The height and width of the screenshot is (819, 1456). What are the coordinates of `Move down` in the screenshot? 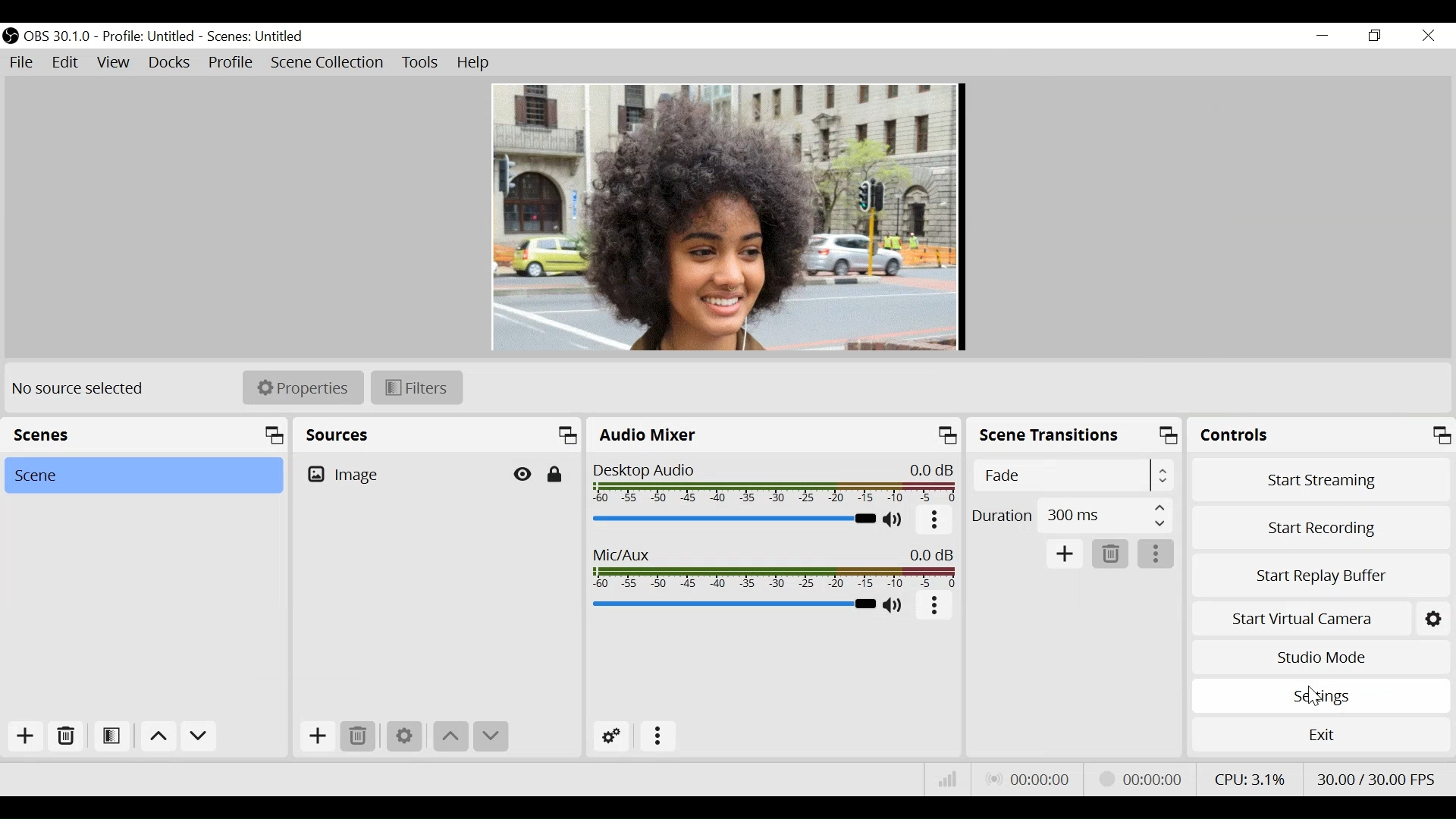 It's located at (490, 736).